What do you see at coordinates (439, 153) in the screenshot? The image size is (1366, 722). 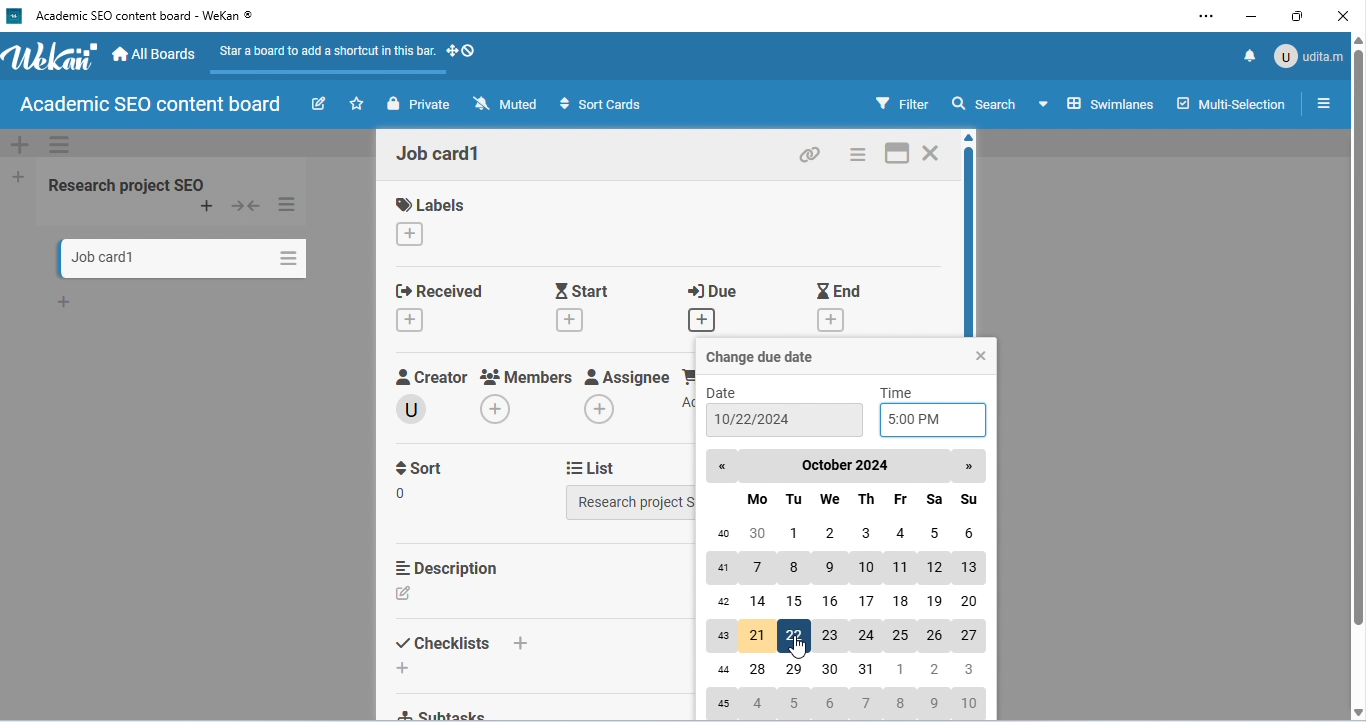 I see `card name` at bounding box center [439, 153].